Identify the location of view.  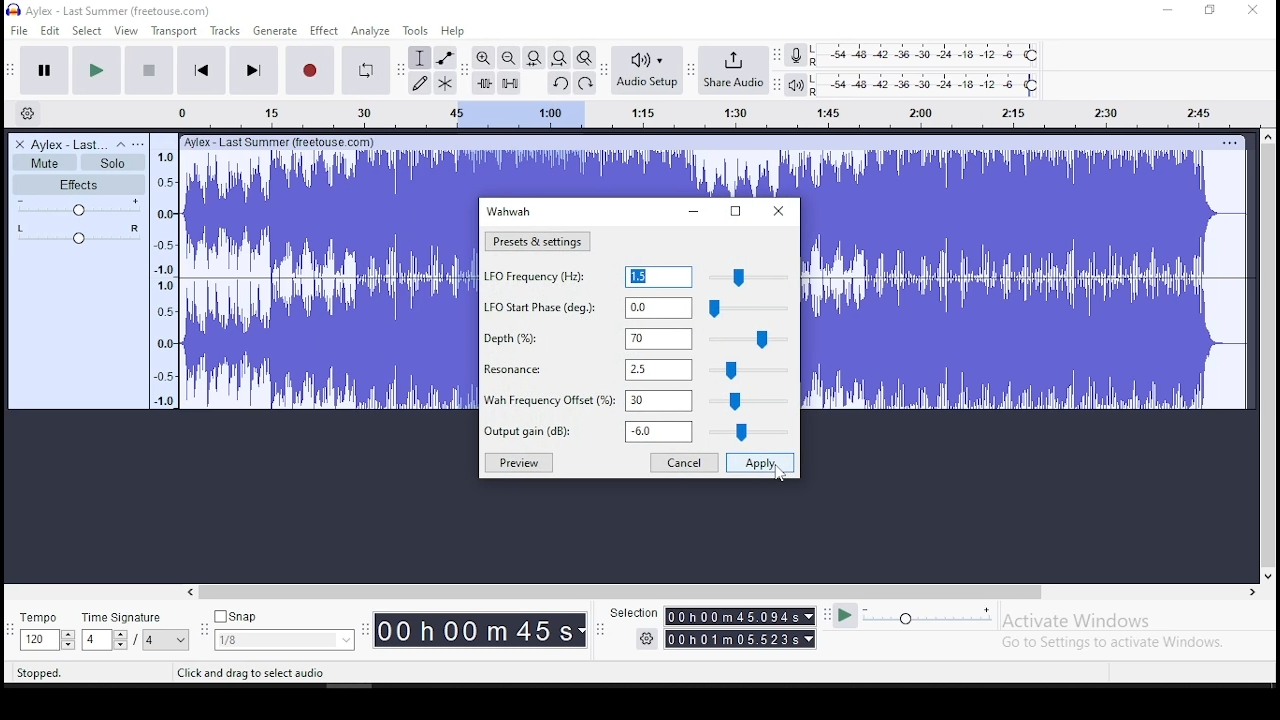
(127, 31).